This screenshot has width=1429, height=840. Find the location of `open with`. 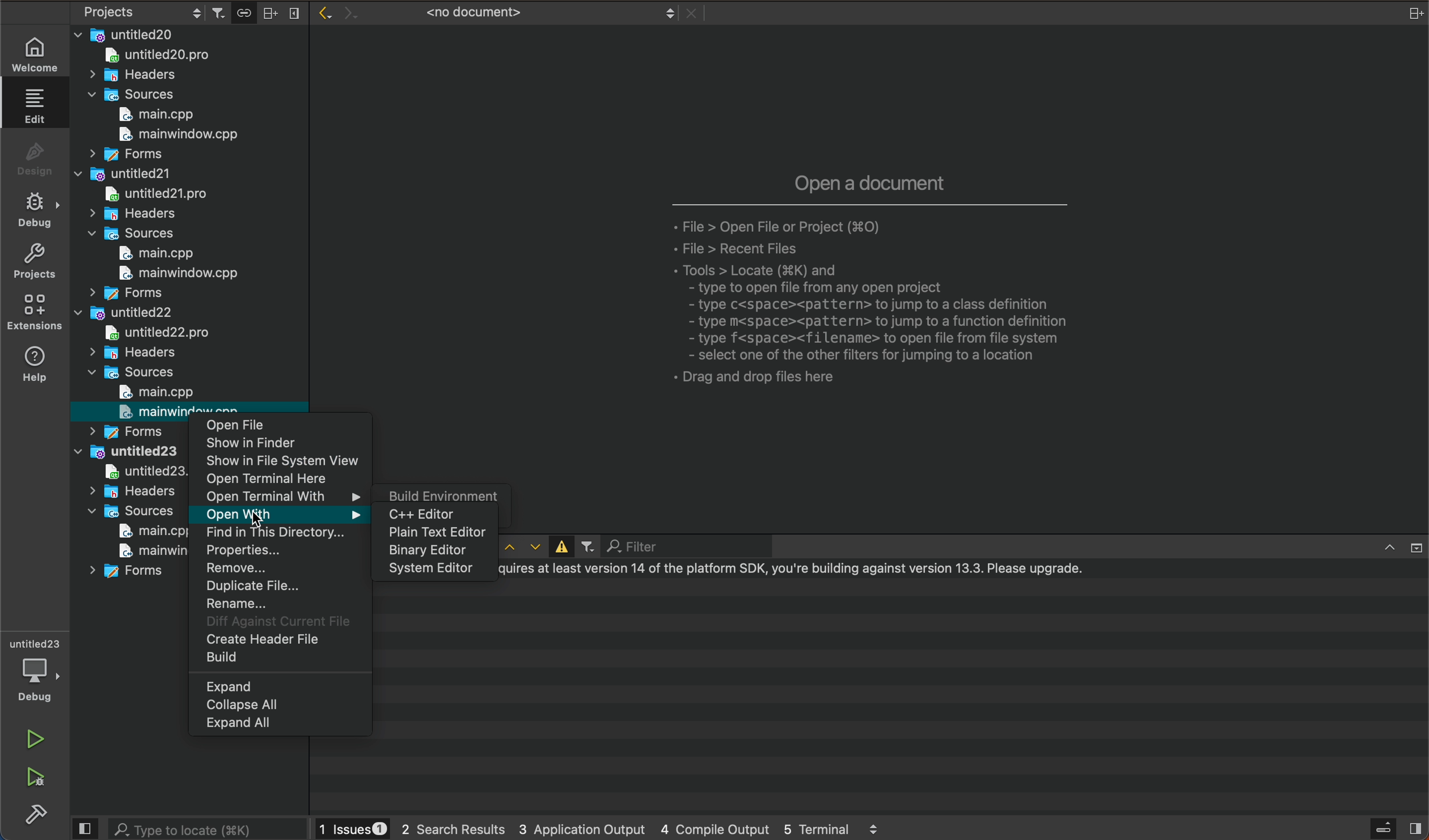

open with is located at coordinates (280, 514).